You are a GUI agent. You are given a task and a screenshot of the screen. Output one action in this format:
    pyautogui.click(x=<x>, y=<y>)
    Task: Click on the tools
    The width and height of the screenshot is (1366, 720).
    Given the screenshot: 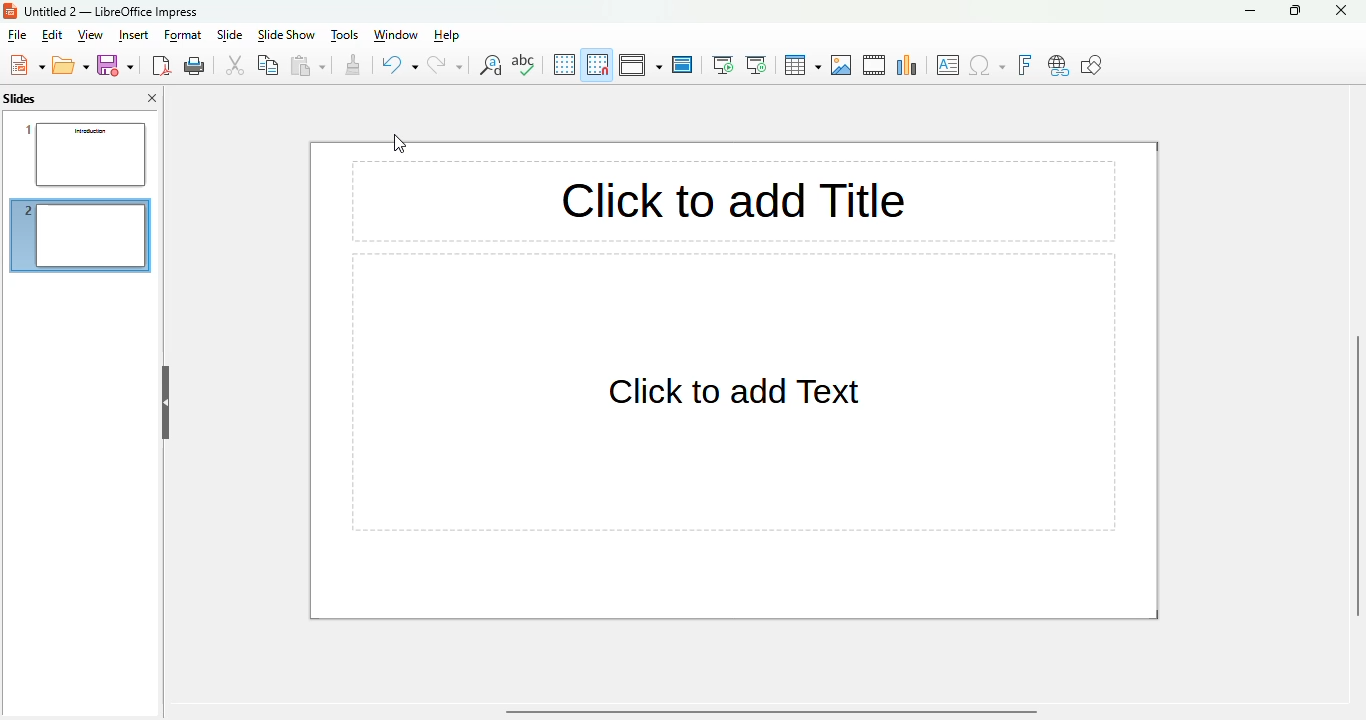 What is the action you would take?
    pyautogui.click(x=343, y=35)
    